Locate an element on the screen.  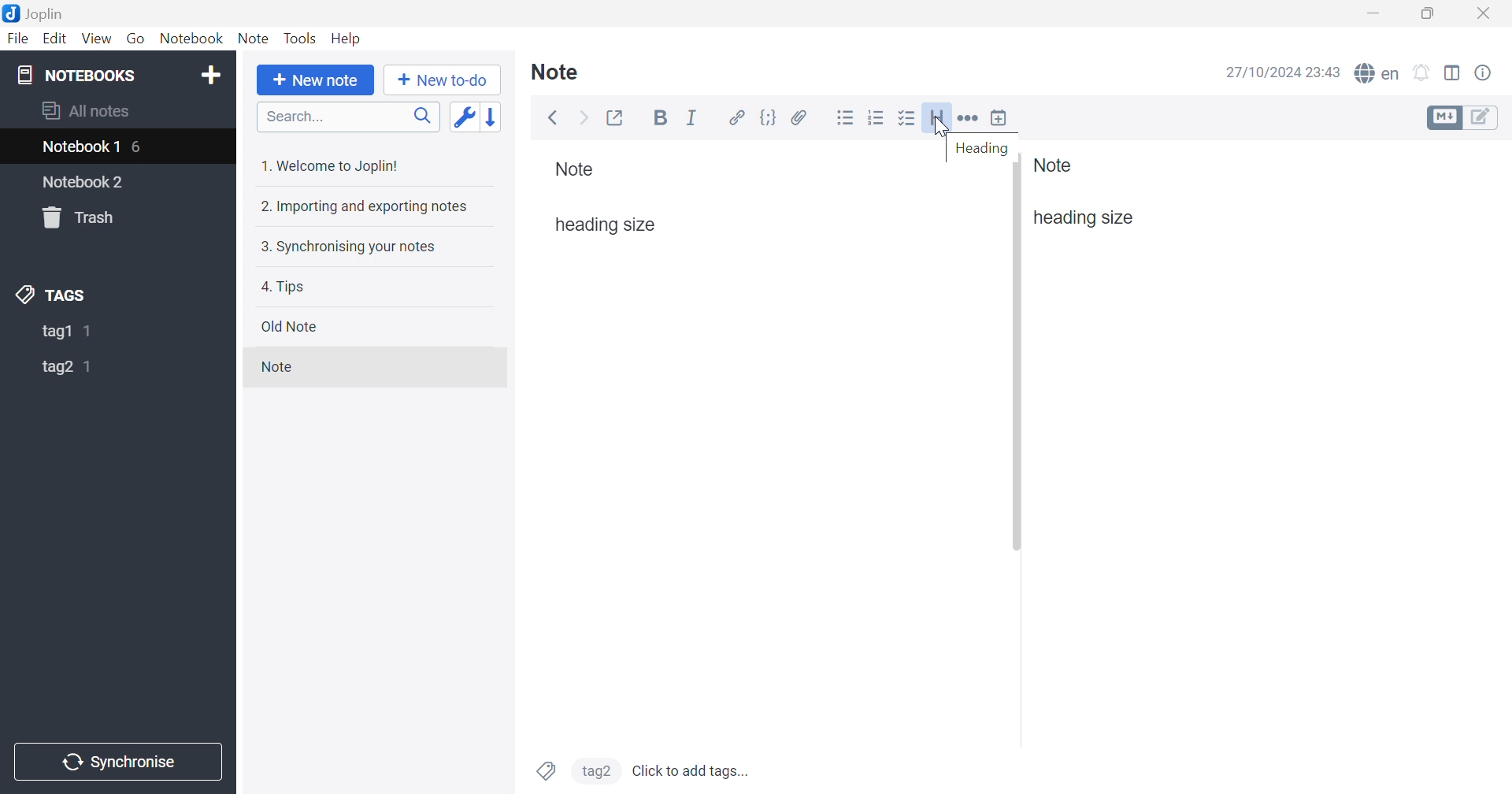
Note is located at coordinates (555, 72).